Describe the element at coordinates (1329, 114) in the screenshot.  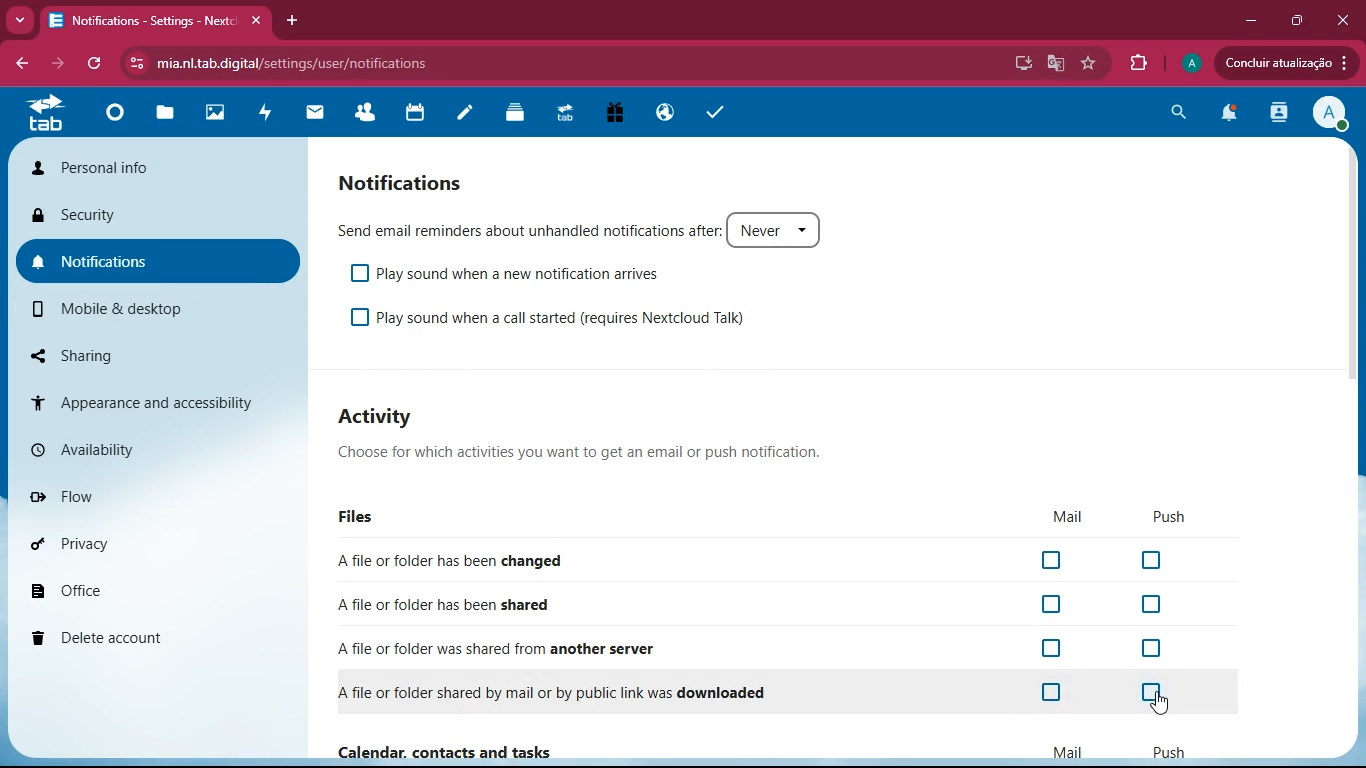
I see `profile` at that location.